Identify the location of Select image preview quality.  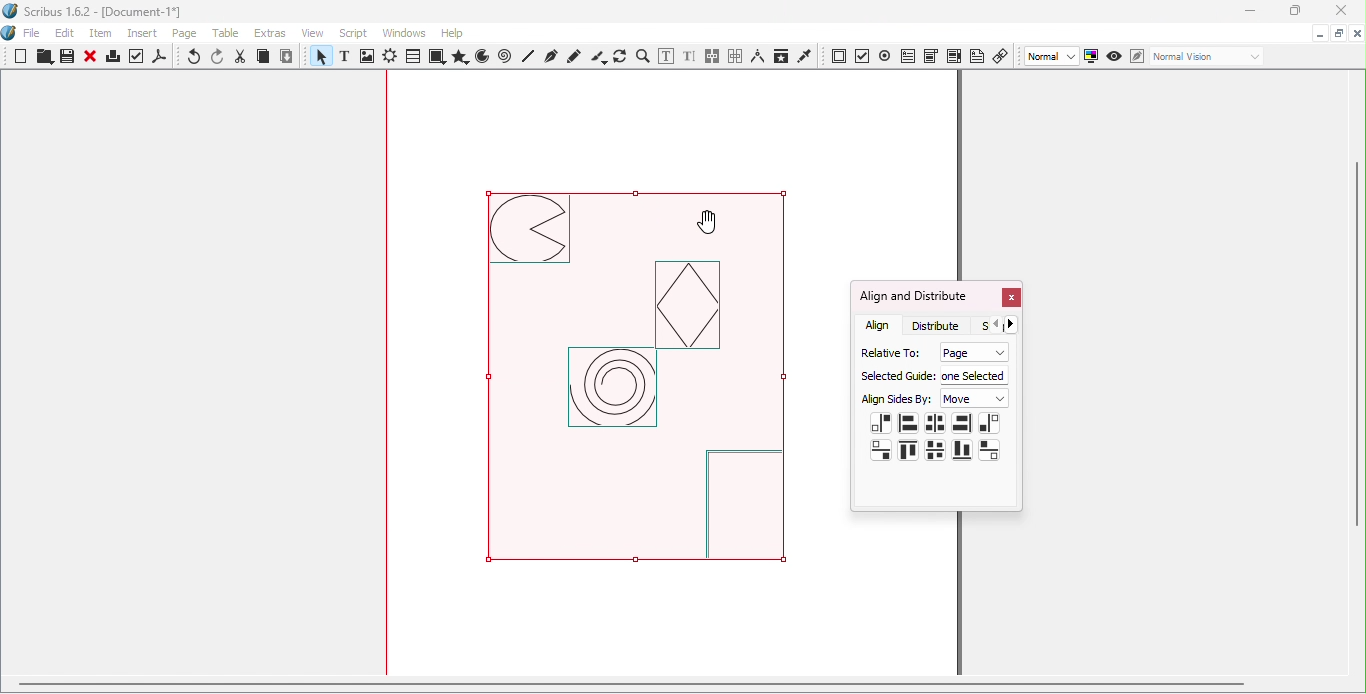
(1053, 57).